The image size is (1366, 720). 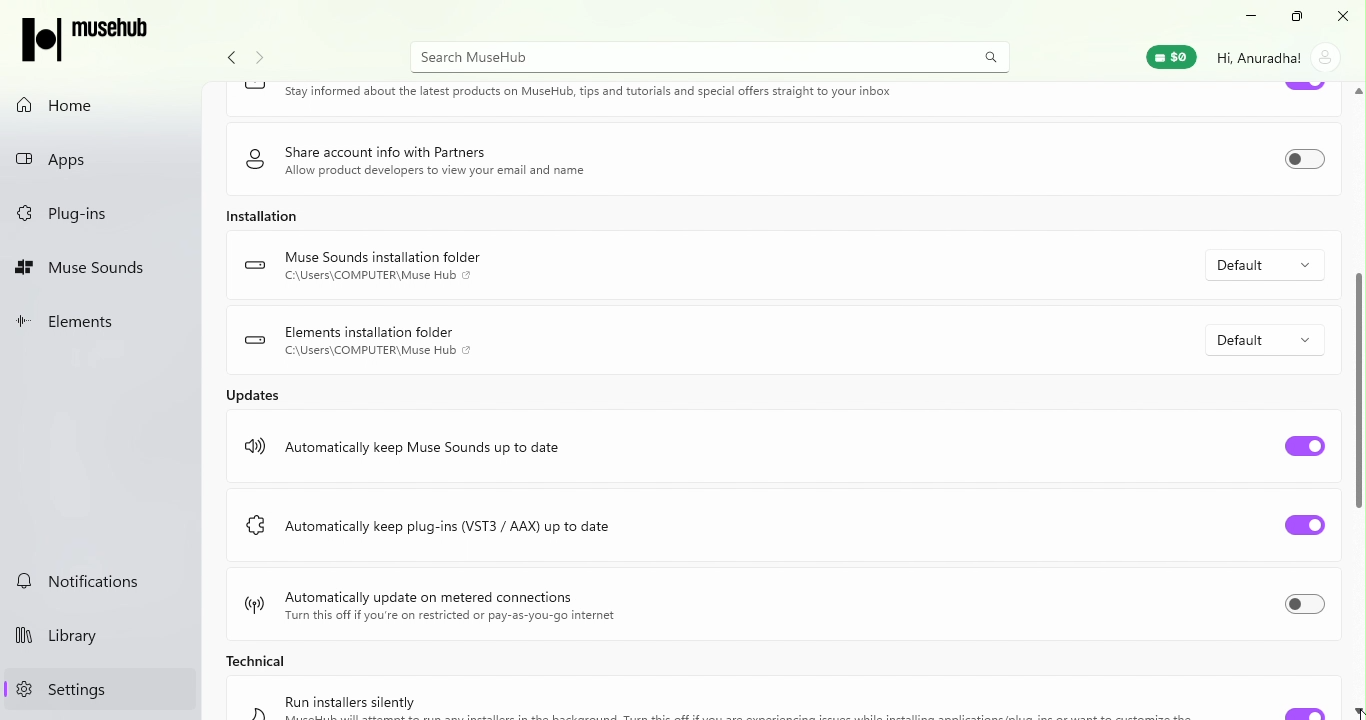 I want to click on scroll up, so click(x=1357, y=92).